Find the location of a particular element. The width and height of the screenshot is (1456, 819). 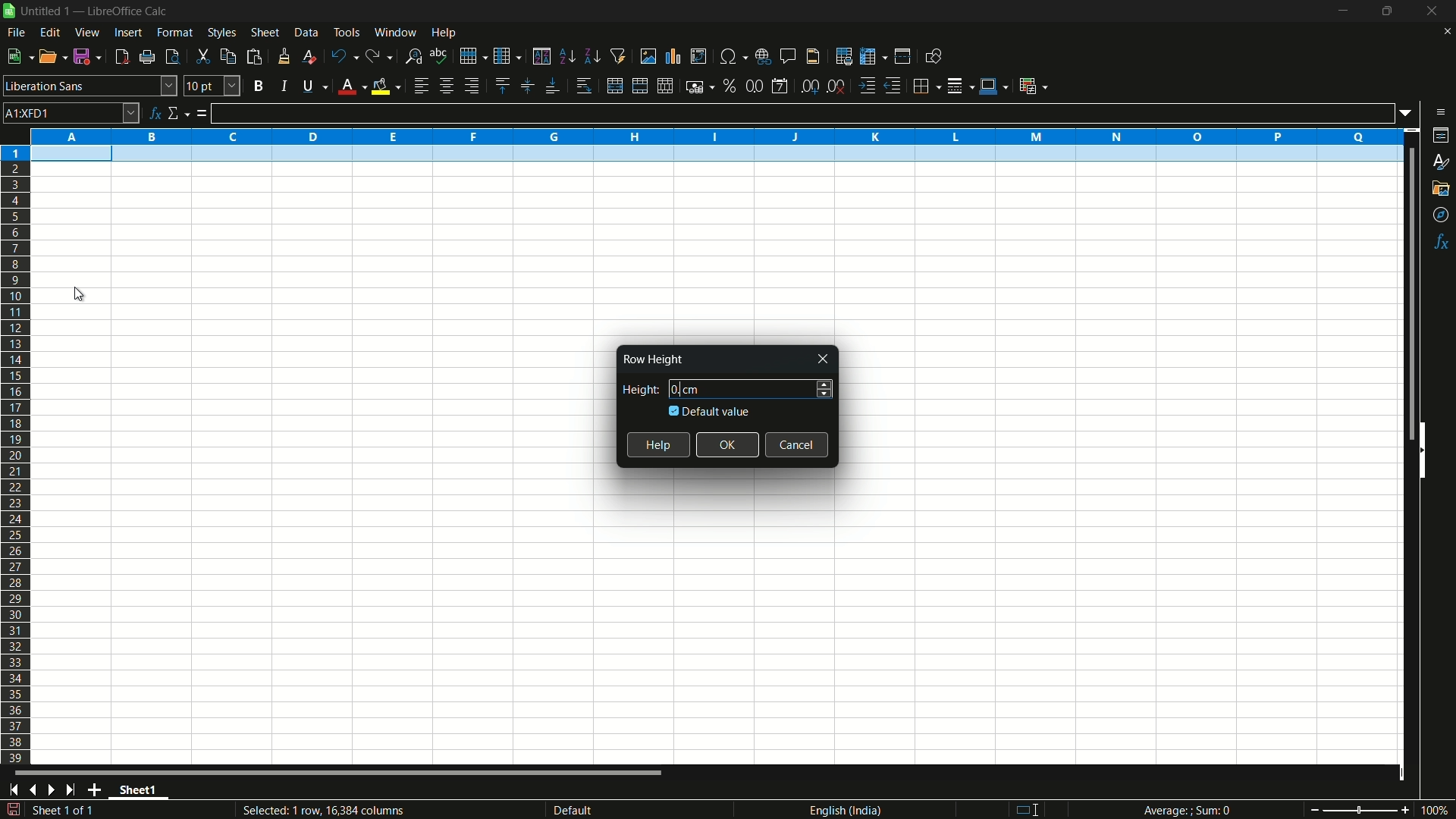

hide sidebar is located at coordinates (1429, 449).